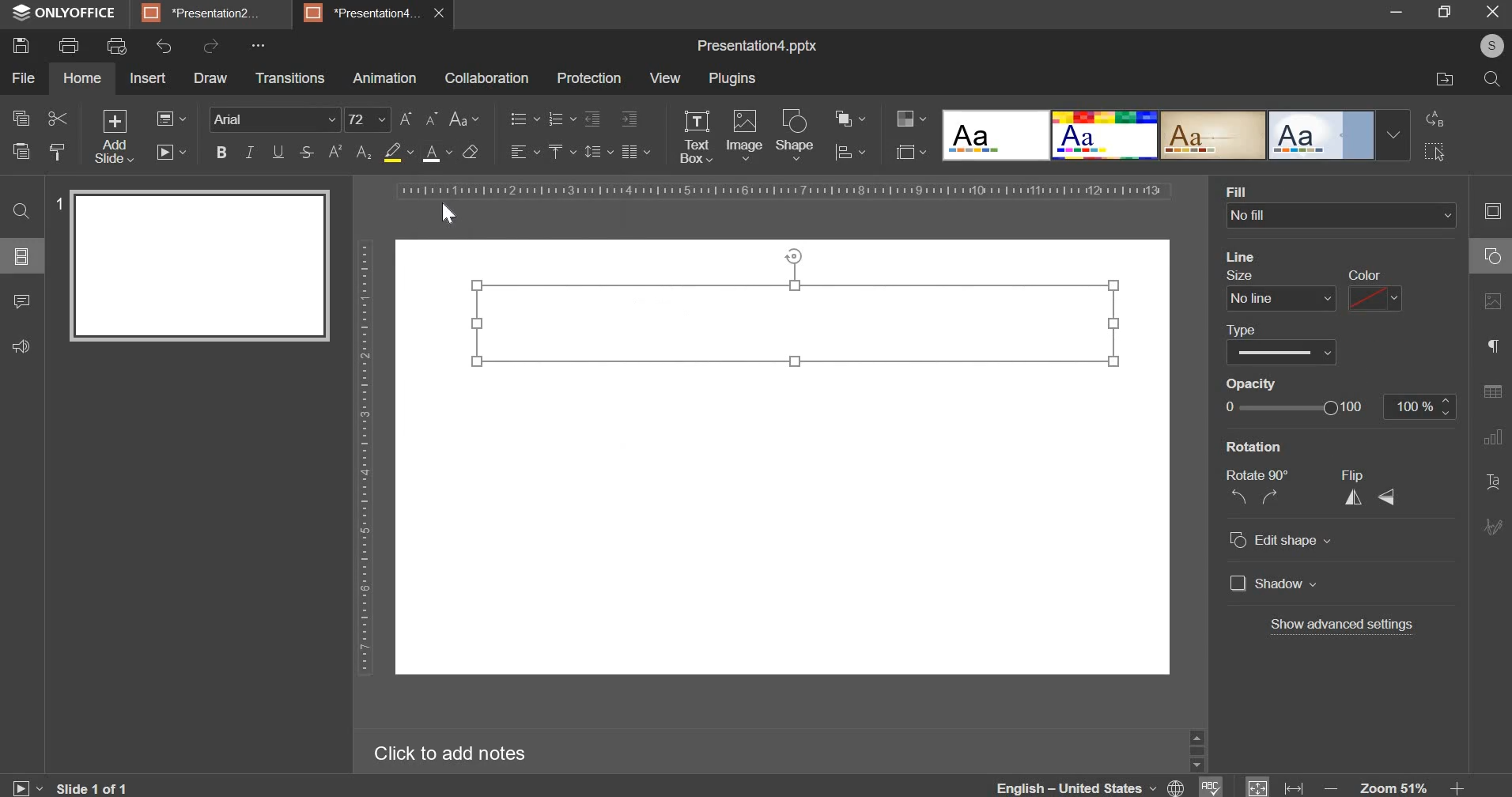 This screenshot has width=1512, height=797. I want to click on background fill, so click(1343, 206).